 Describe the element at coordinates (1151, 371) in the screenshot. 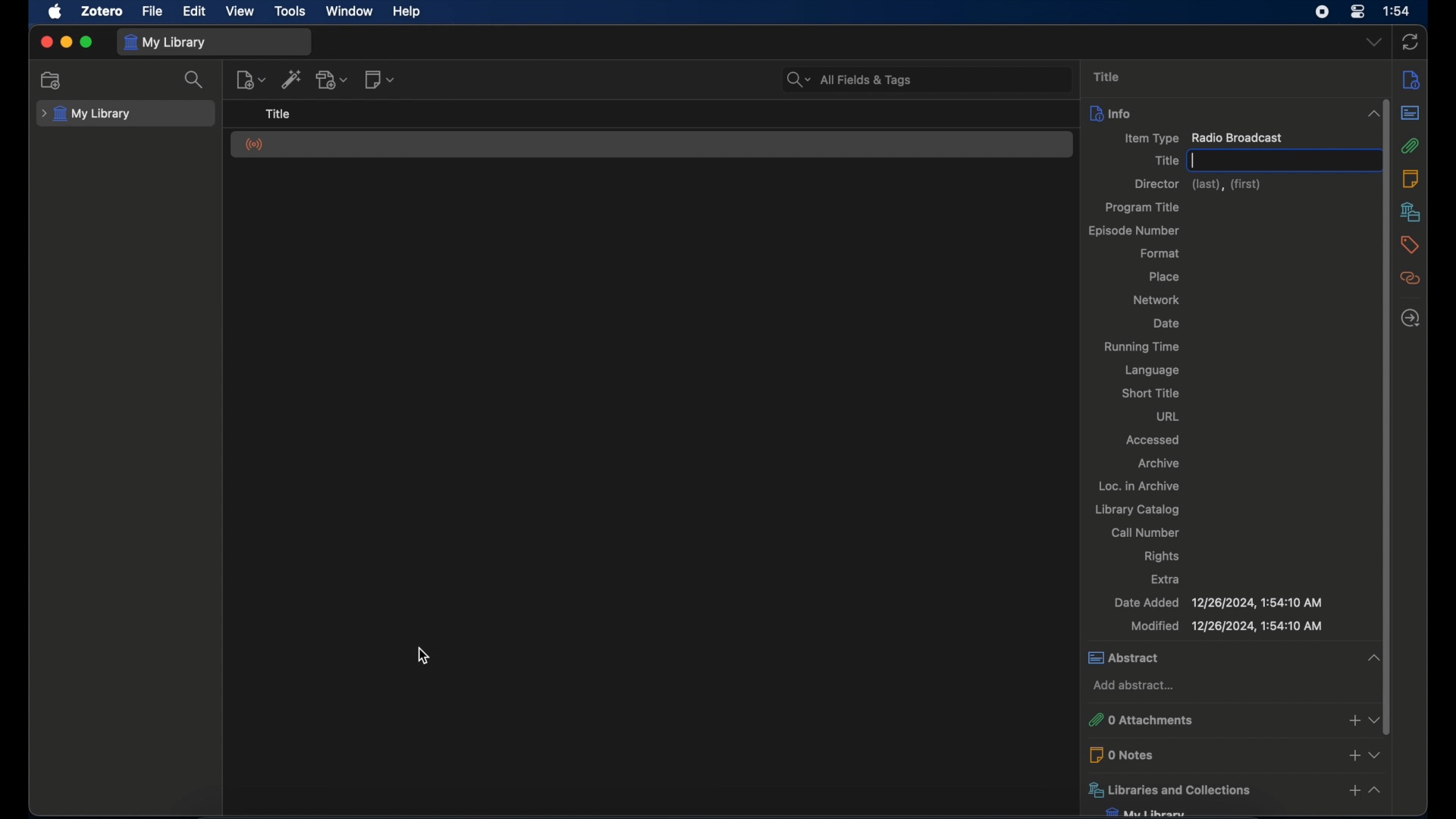

I see `language` at that location.